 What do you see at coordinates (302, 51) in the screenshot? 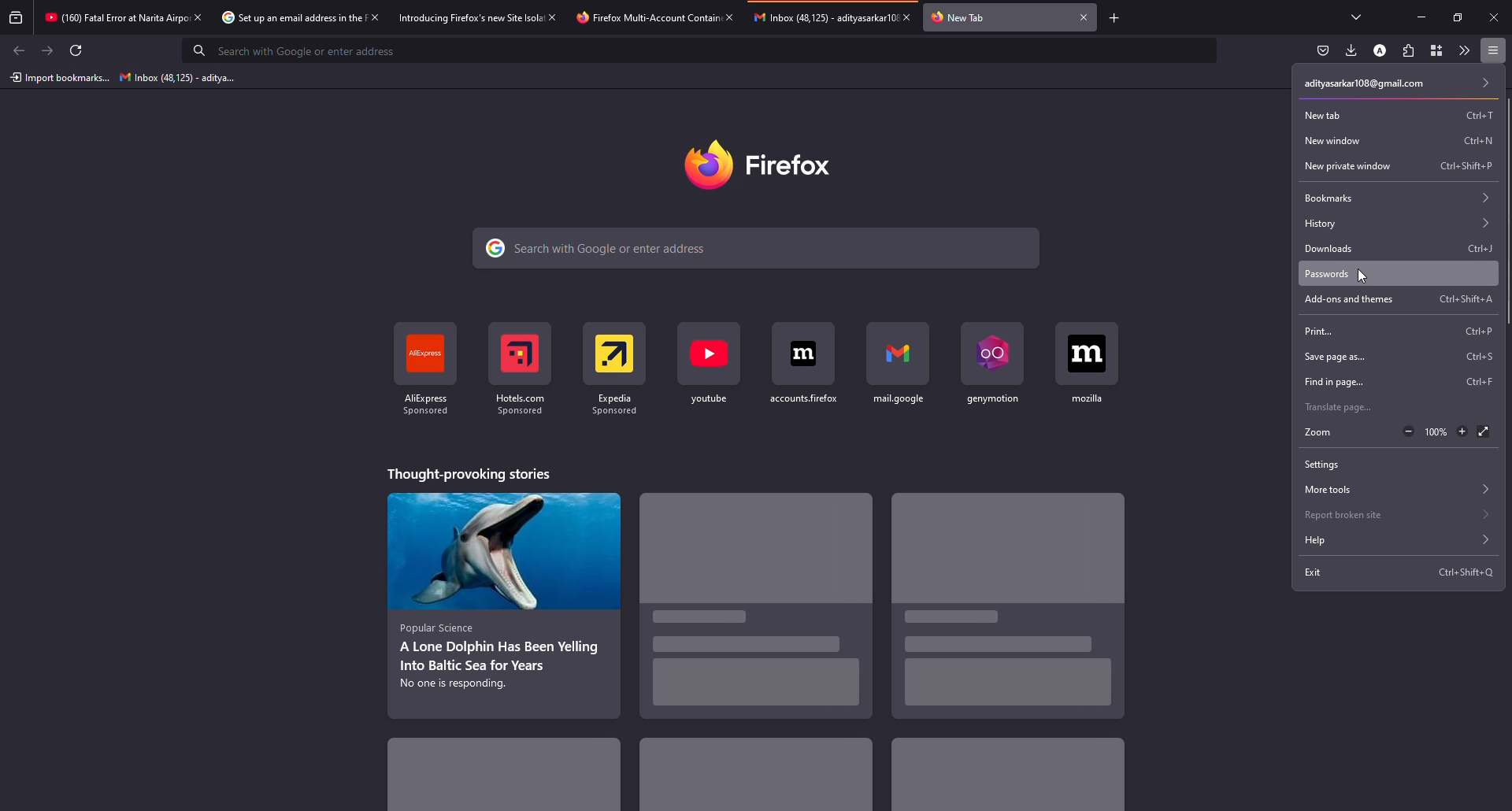
I see `search` at bounding box center [302, 51].